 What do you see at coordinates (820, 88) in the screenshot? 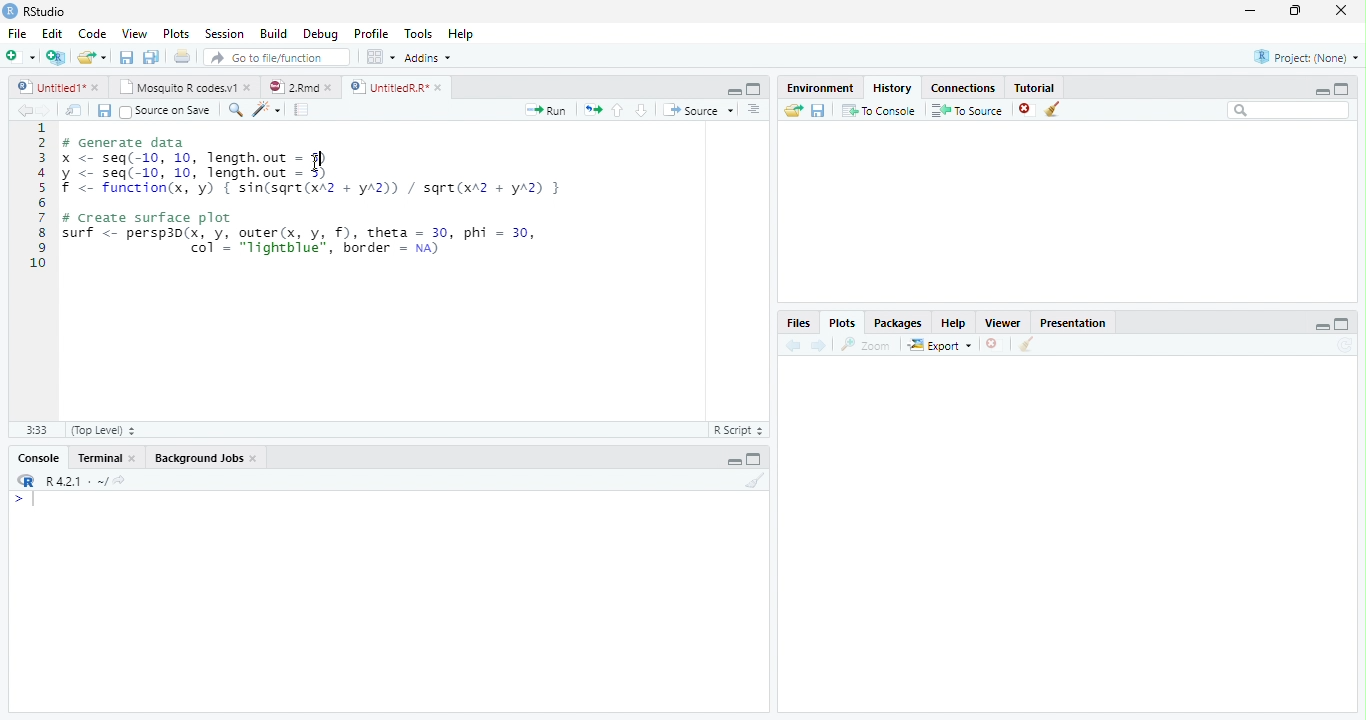
I see `Environment` at bounding box center [820, 88].